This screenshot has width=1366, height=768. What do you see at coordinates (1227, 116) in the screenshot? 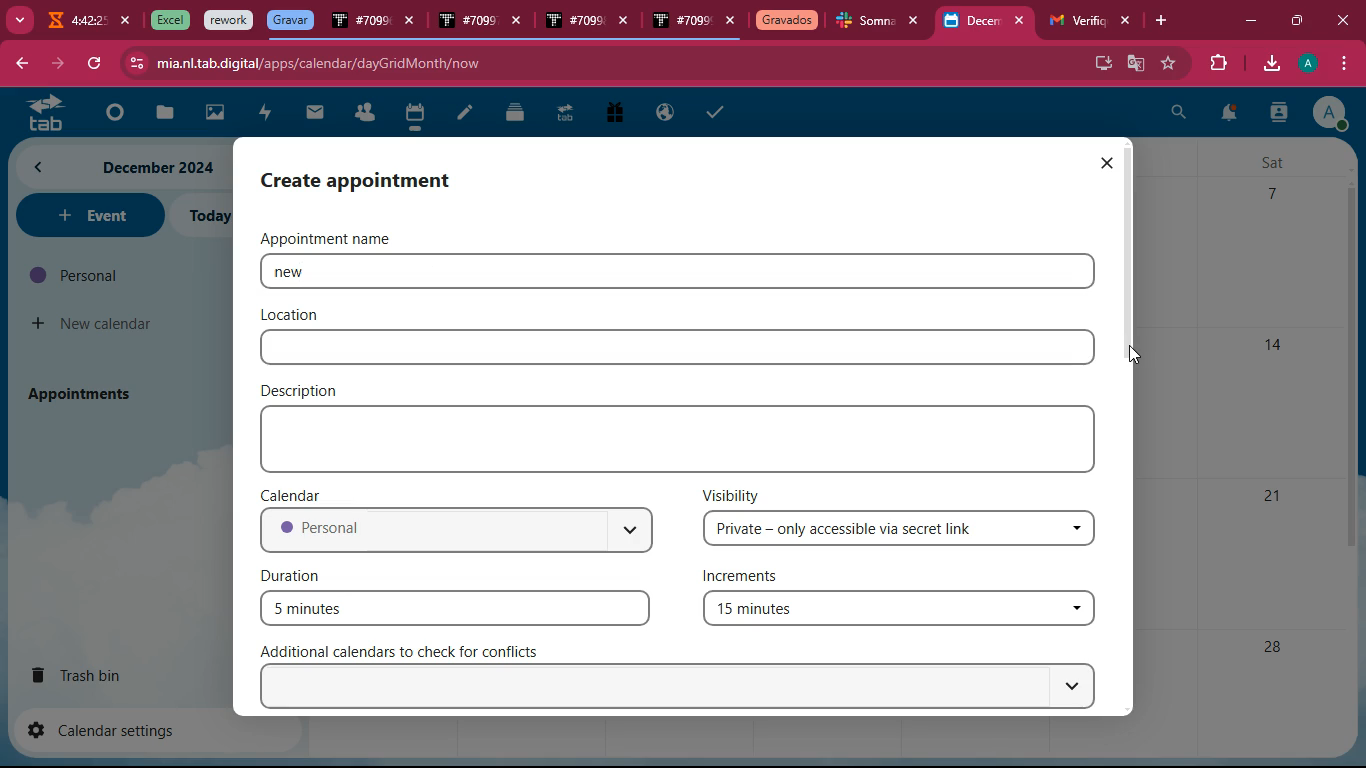
I see `notifications` at bounding box center [1227, 116].